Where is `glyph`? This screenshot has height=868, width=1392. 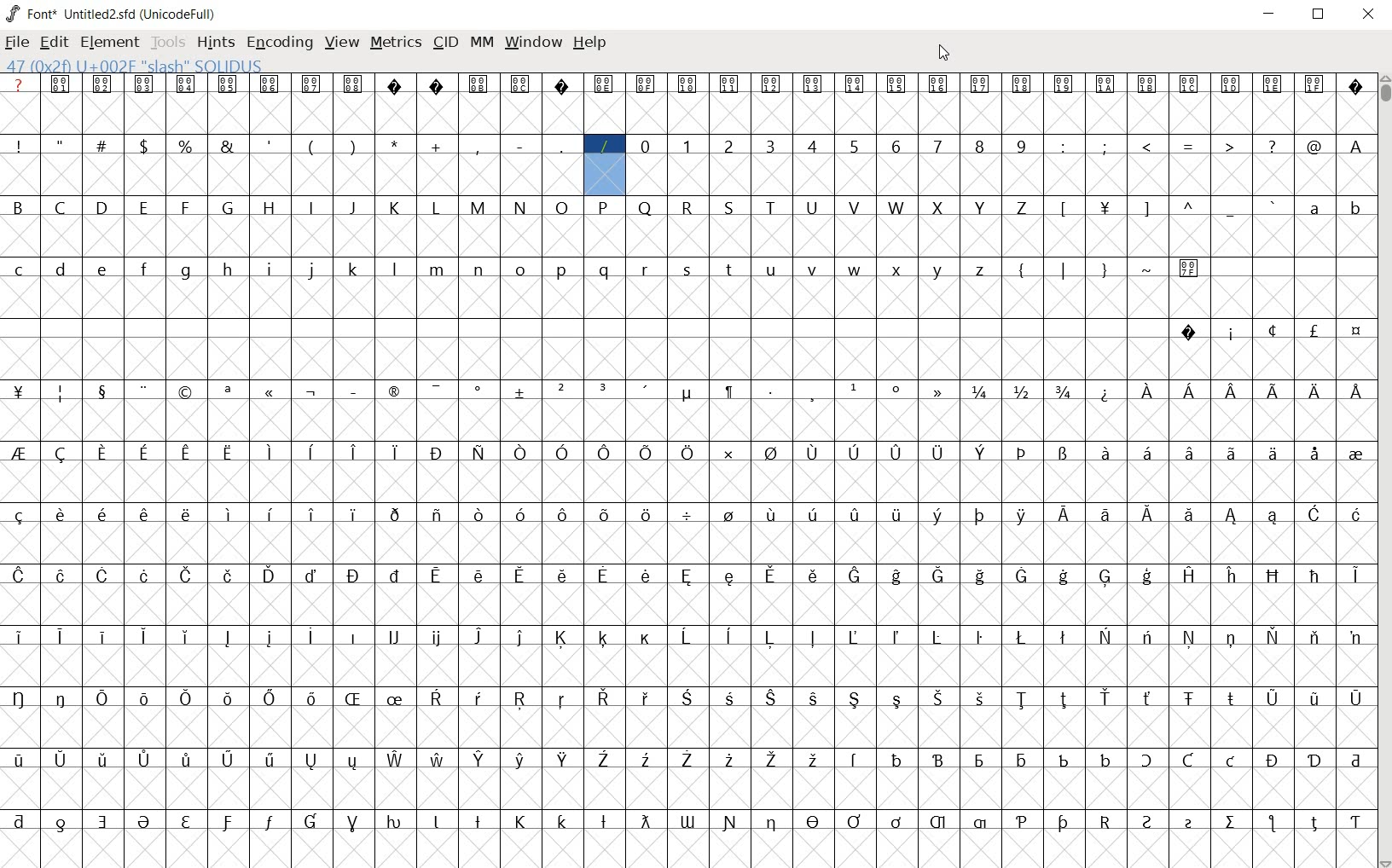
glyph is located at coordinates (603, 759).